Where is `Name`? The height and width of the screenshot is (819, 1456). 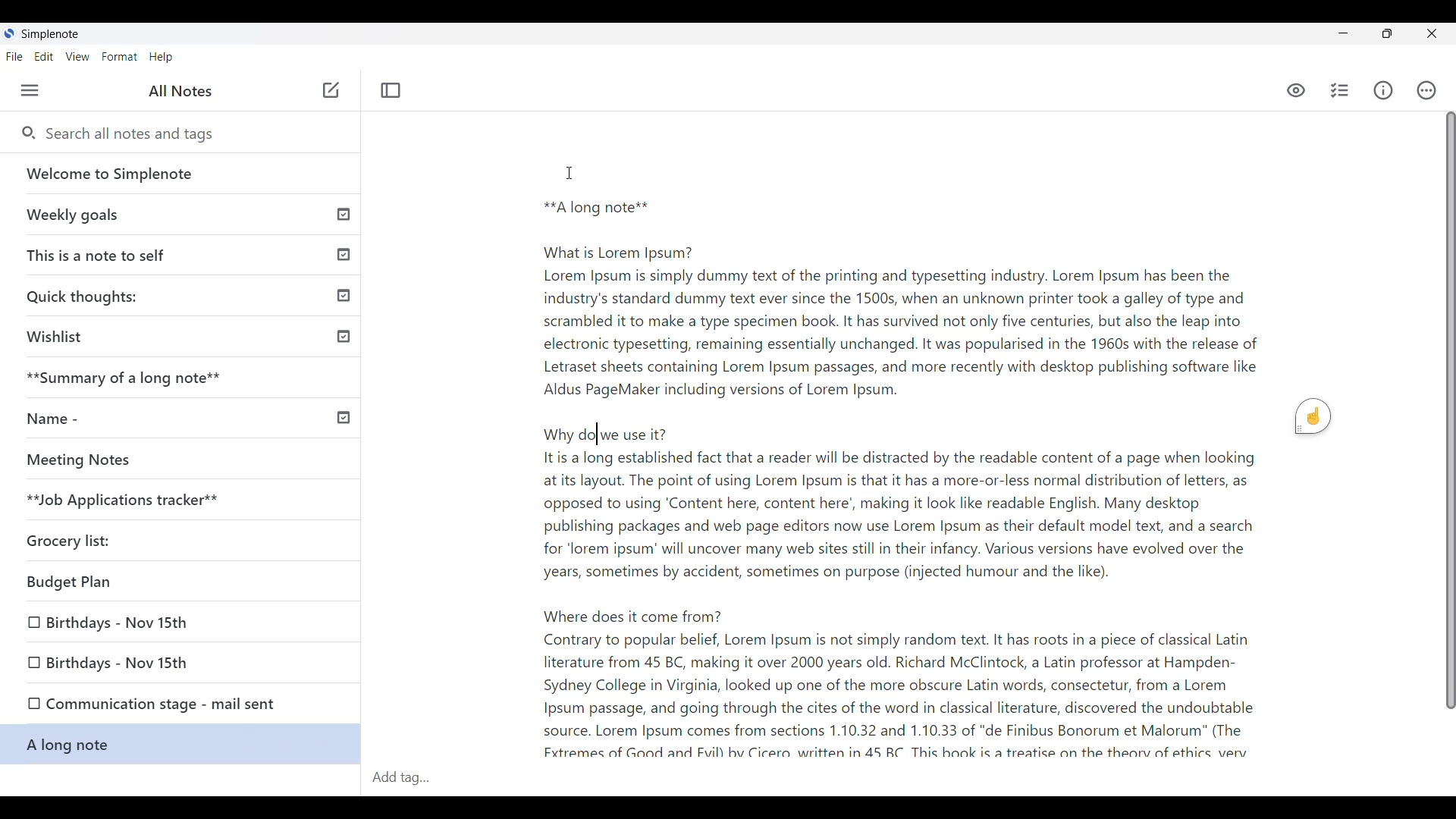
Name is located at coordinates (183, 416).